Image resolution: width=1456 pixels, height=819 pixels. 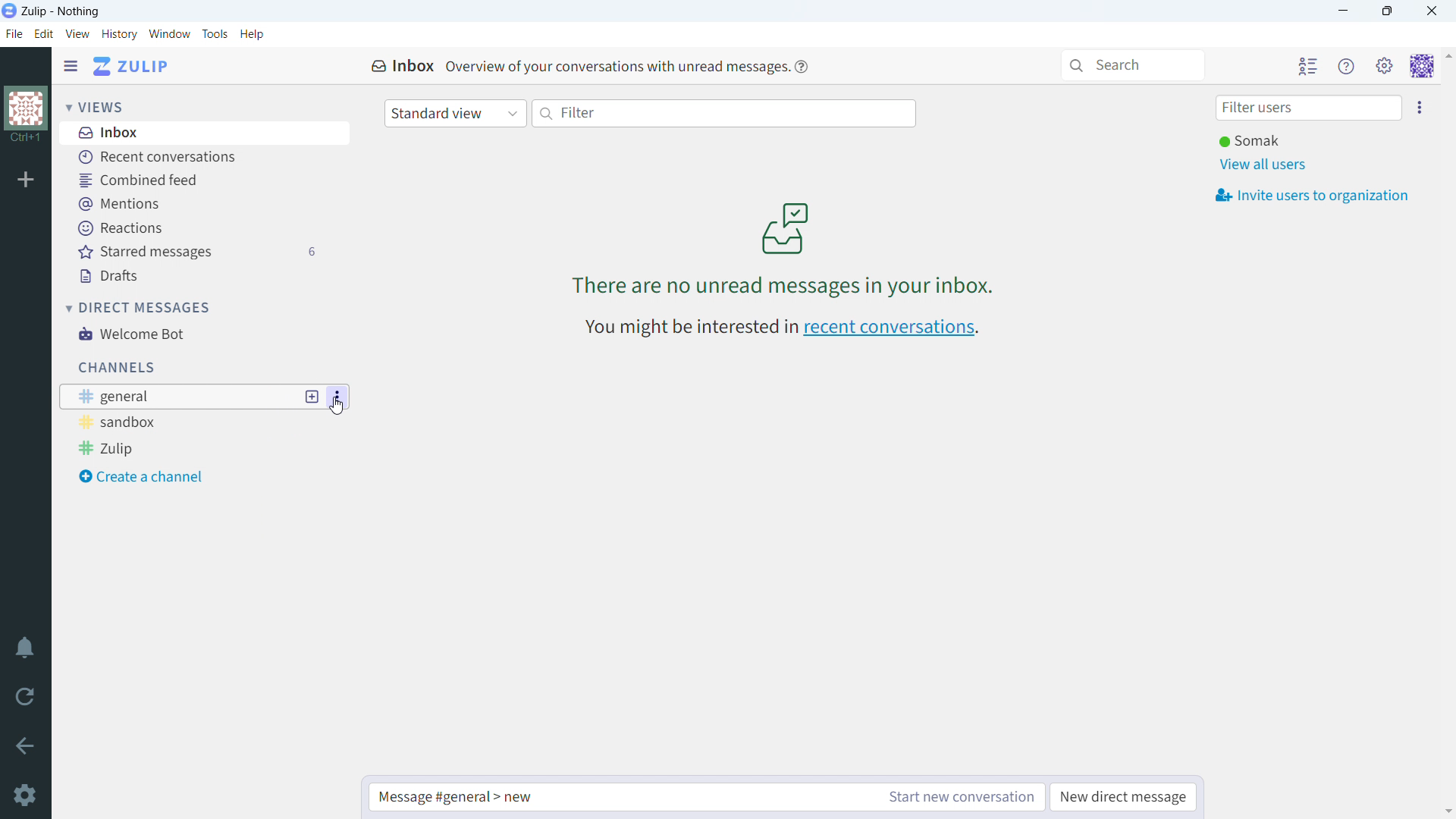 I want to click on file, so click(x=14, y=33).